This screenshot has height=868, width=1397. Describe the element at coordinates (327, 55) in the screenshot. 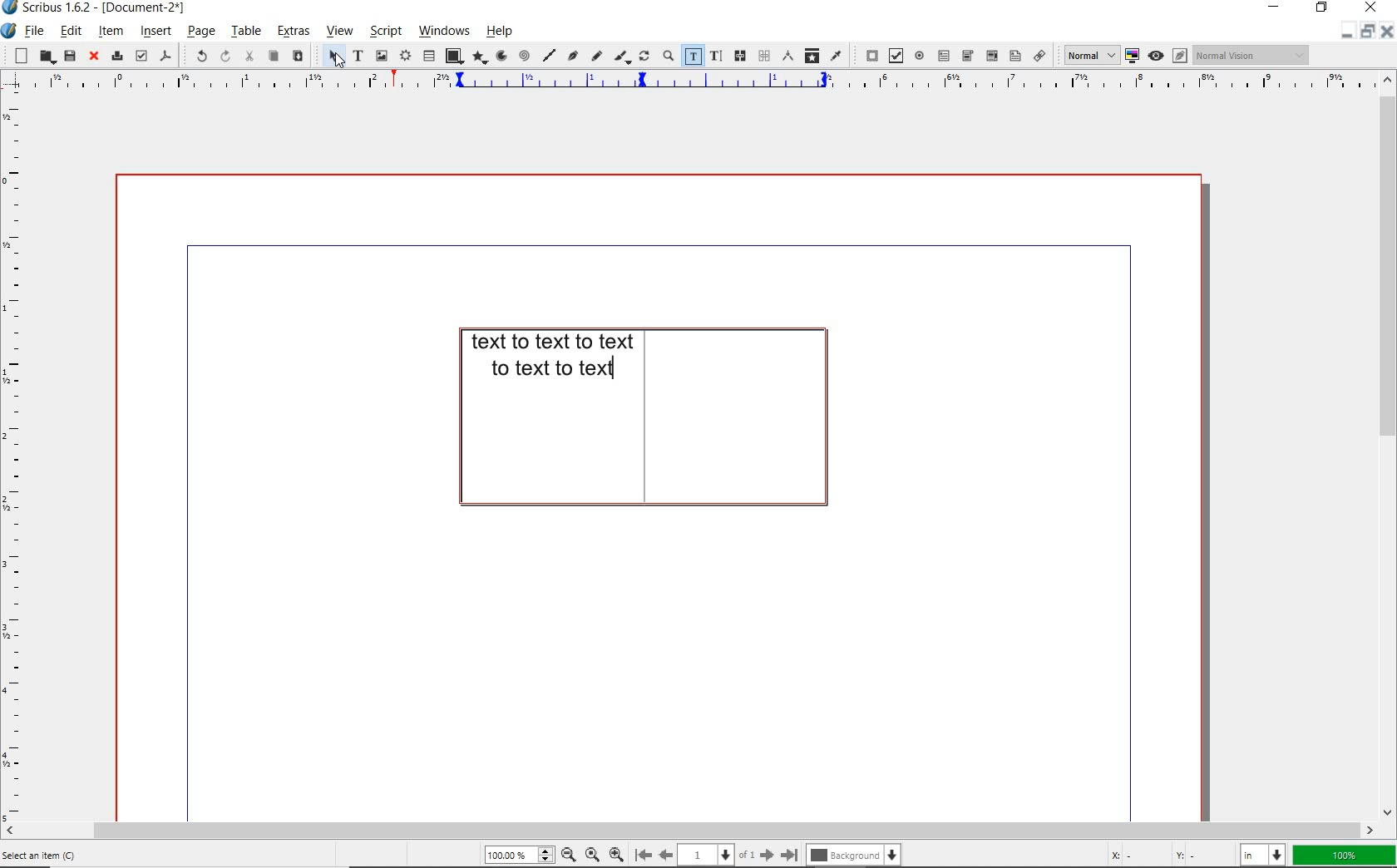

I see `select item` at that location.